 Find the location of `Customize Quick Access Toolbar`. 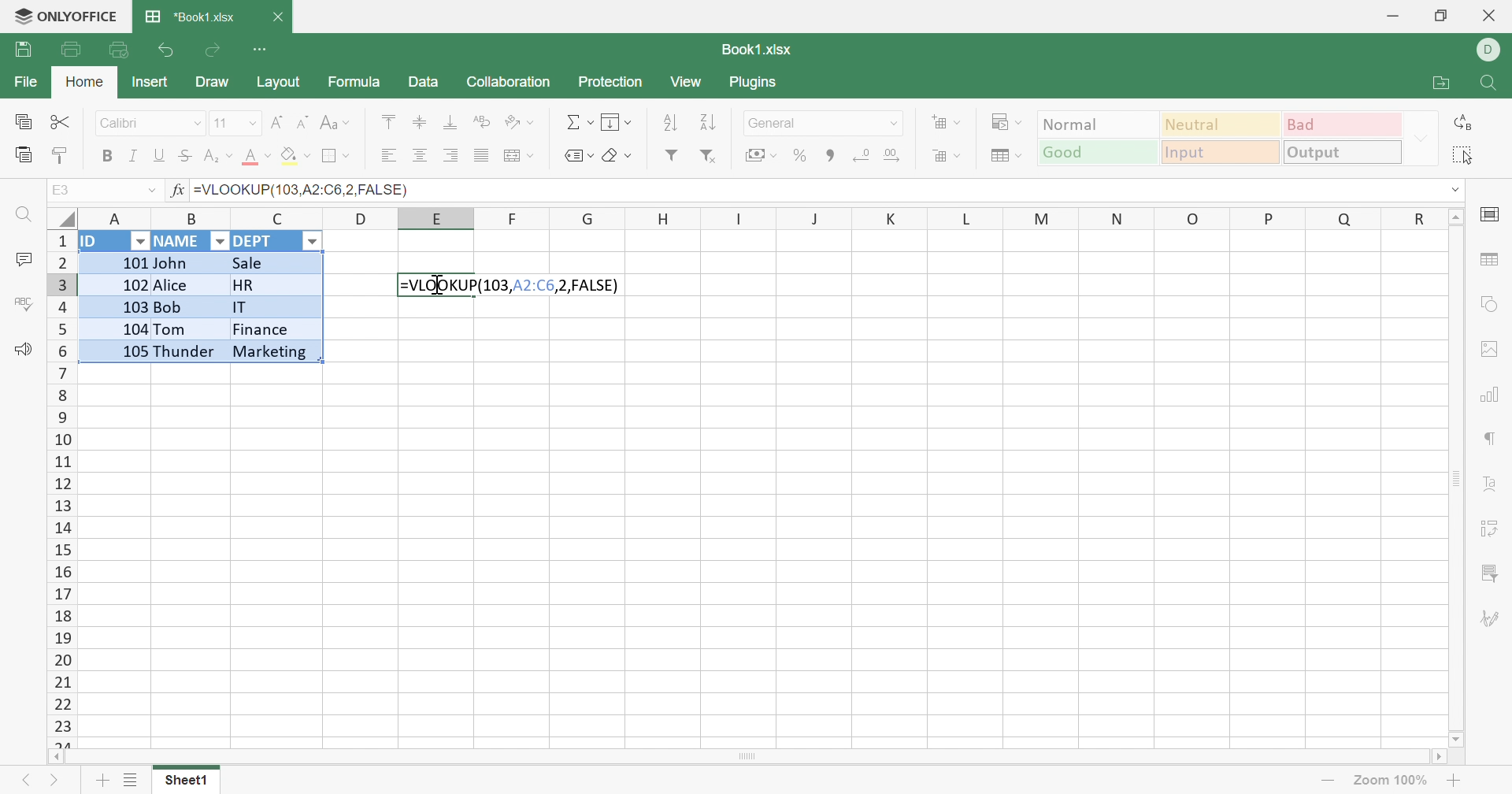

Customize Quick Access Toolbar is located at coordinates (262, 50).